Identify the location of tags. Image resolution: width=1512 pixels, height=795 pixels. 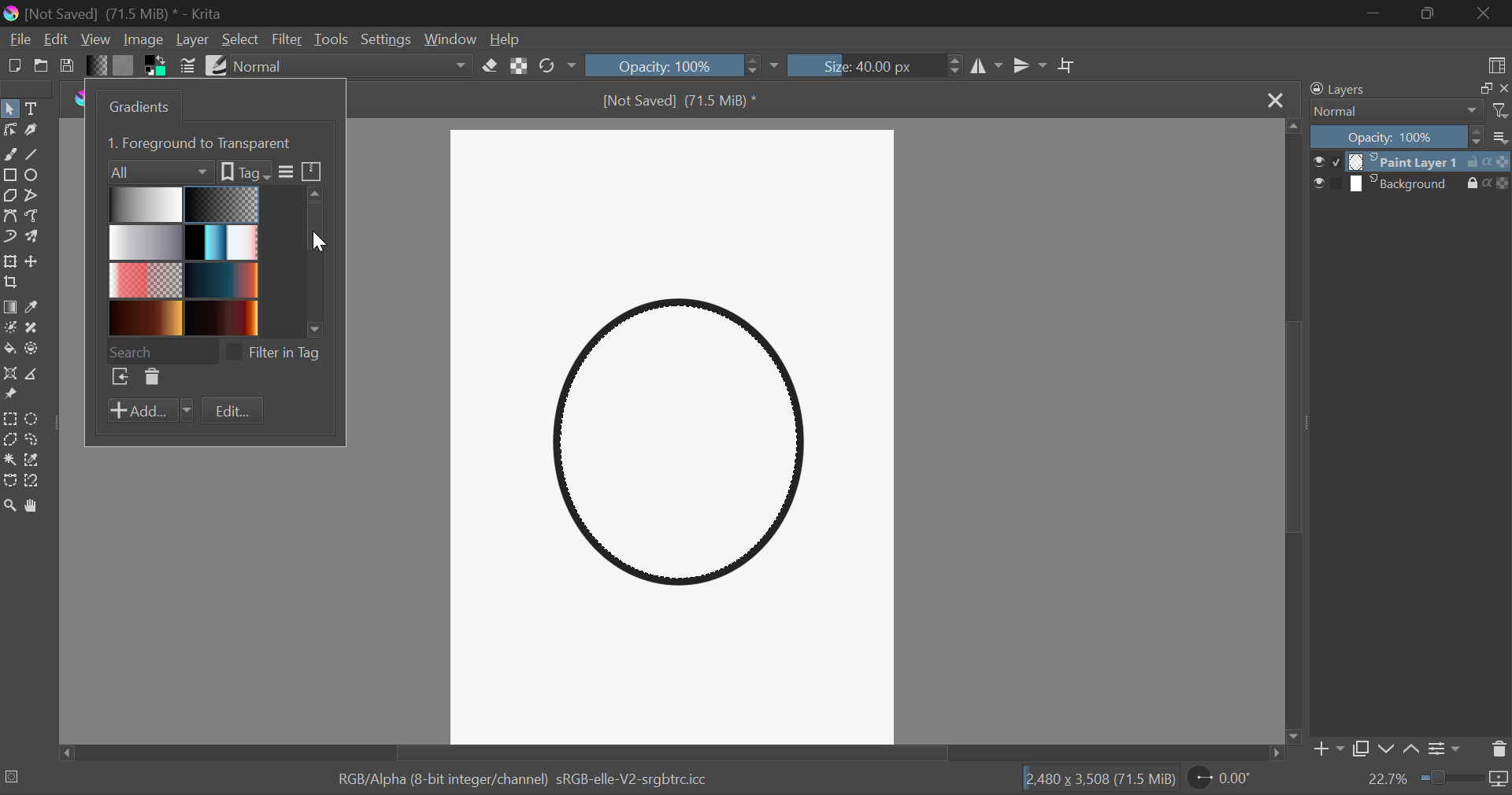
(246, 172).